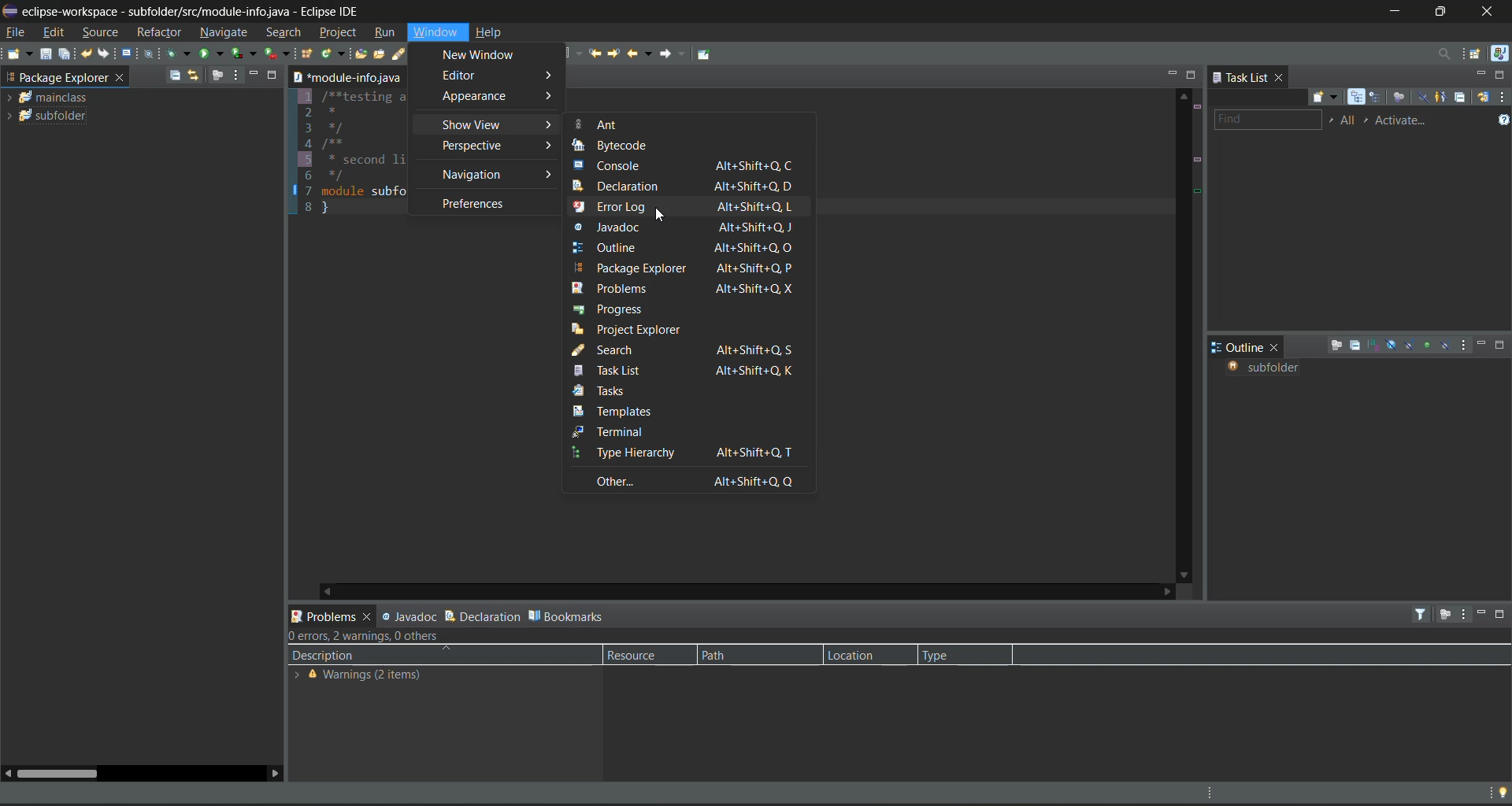  What do you see at coordinates (1503, 99) in the screenshot?
I see `view menu` at bounding box center [1503, 99].